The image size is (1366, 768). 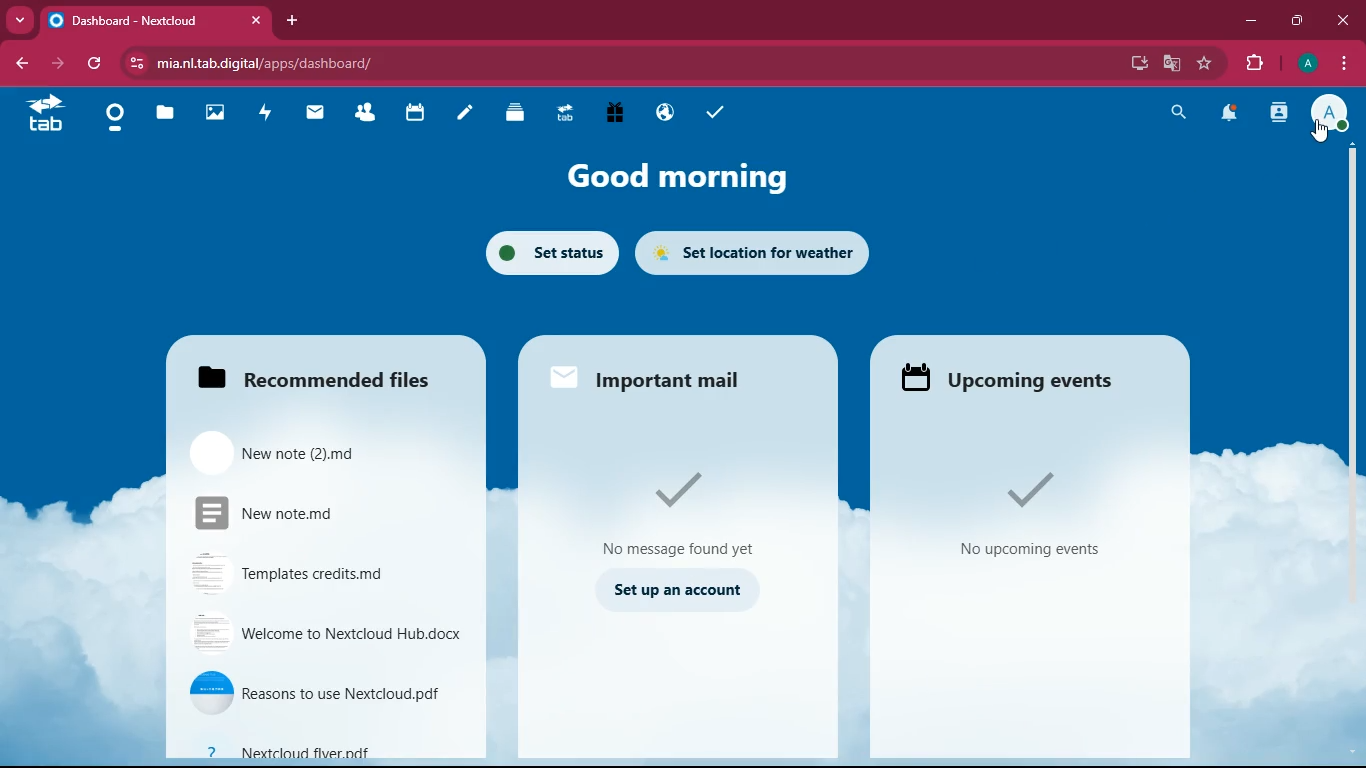 I want to click on nextcloud flver.pdf, so click(x=325, y=747).